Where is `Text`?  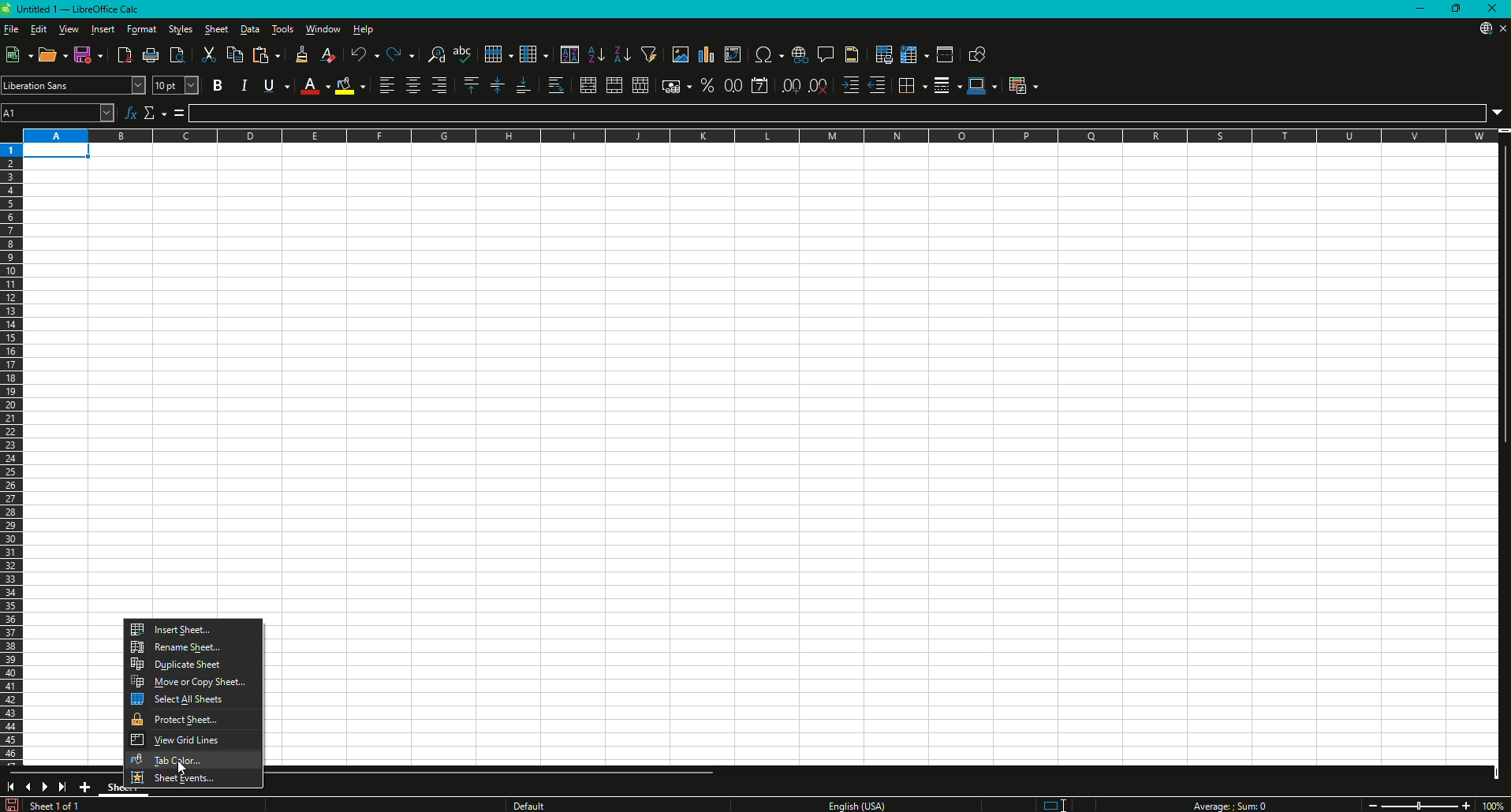 Text is located at coordinates (1228, 805).